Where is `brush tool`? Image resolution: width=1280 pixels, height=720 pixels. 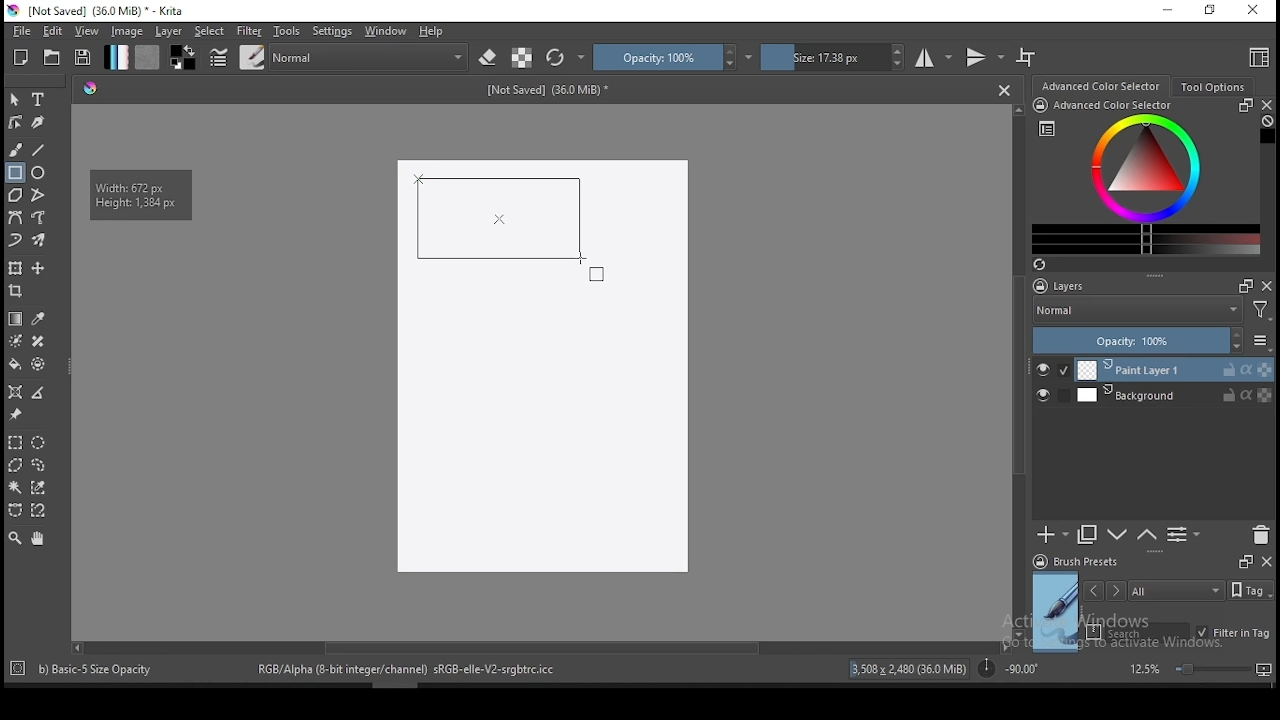 brush tool is located at coordinates (17, 149).